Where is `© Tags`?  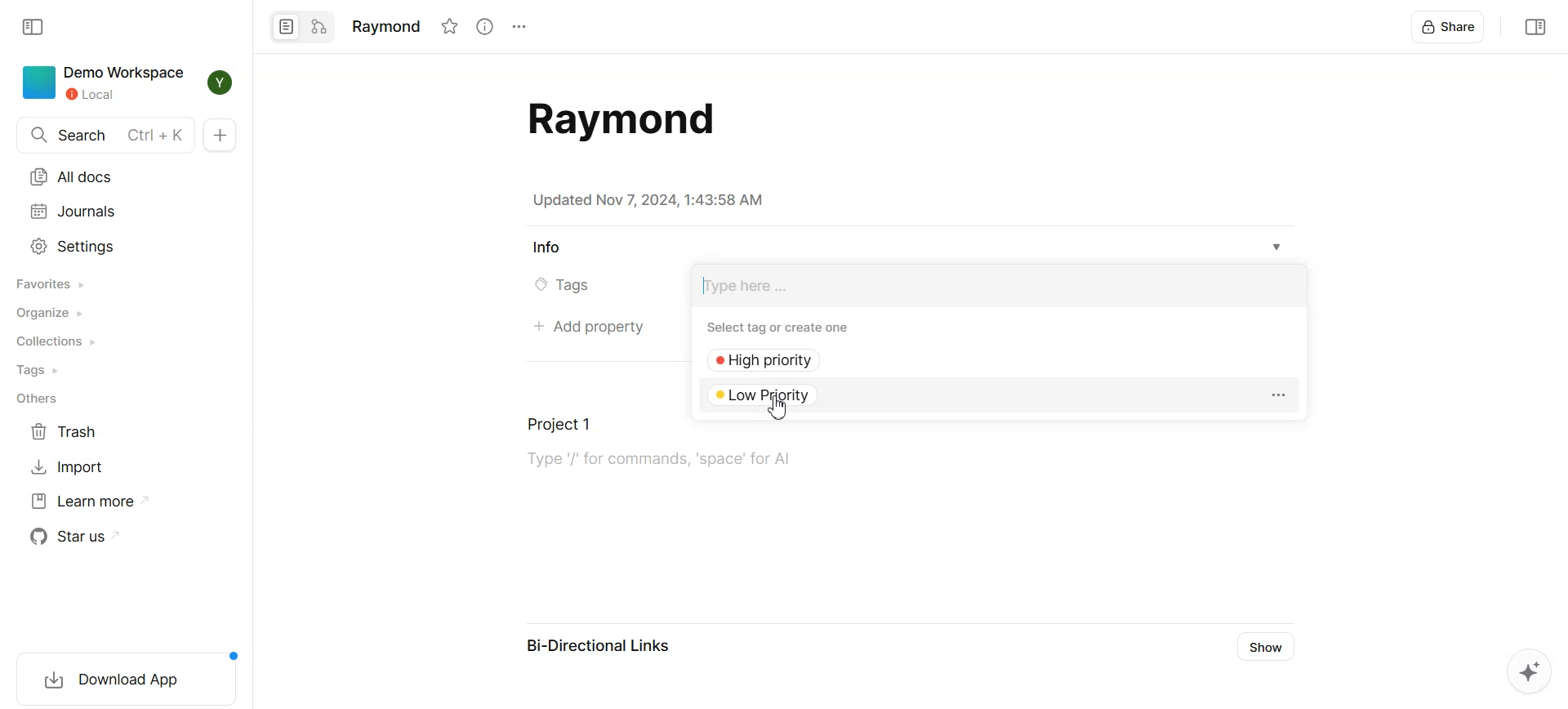 © Tags is located at coordinates (573, 286).